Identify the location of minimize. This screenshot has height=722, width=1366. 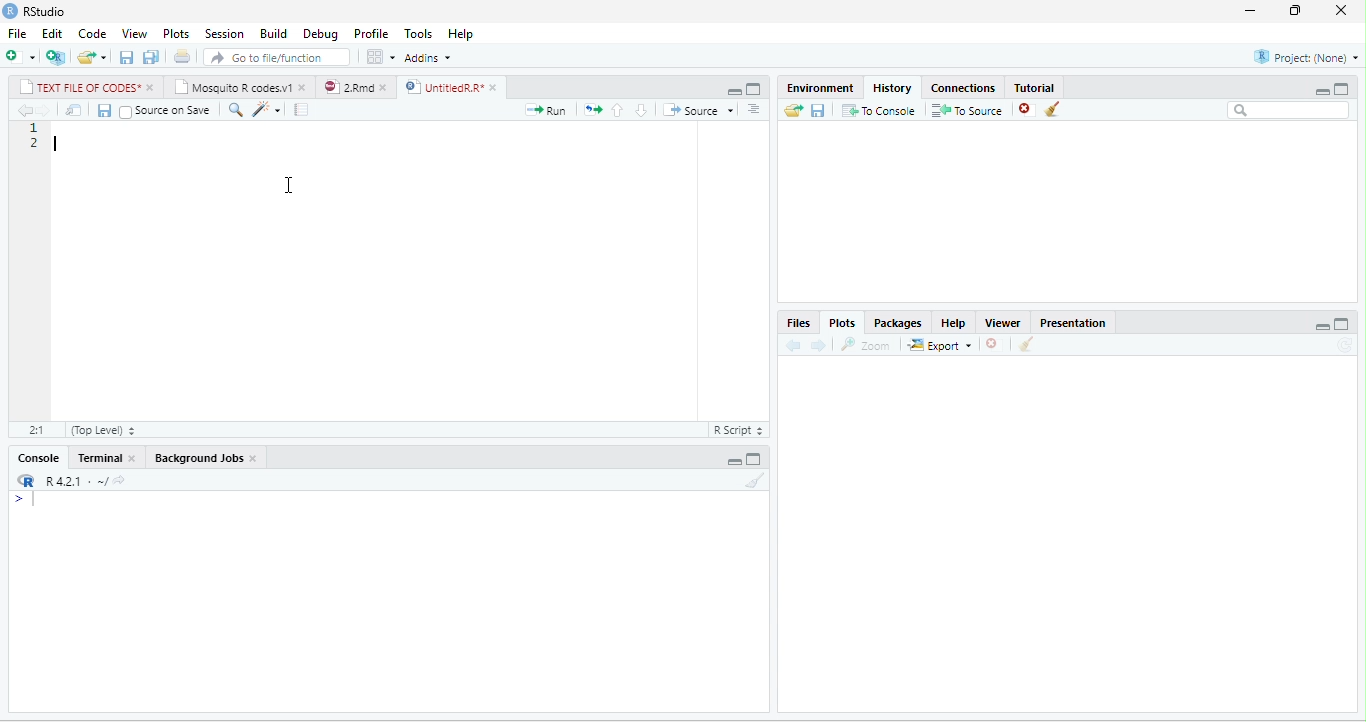
(1322, 326).